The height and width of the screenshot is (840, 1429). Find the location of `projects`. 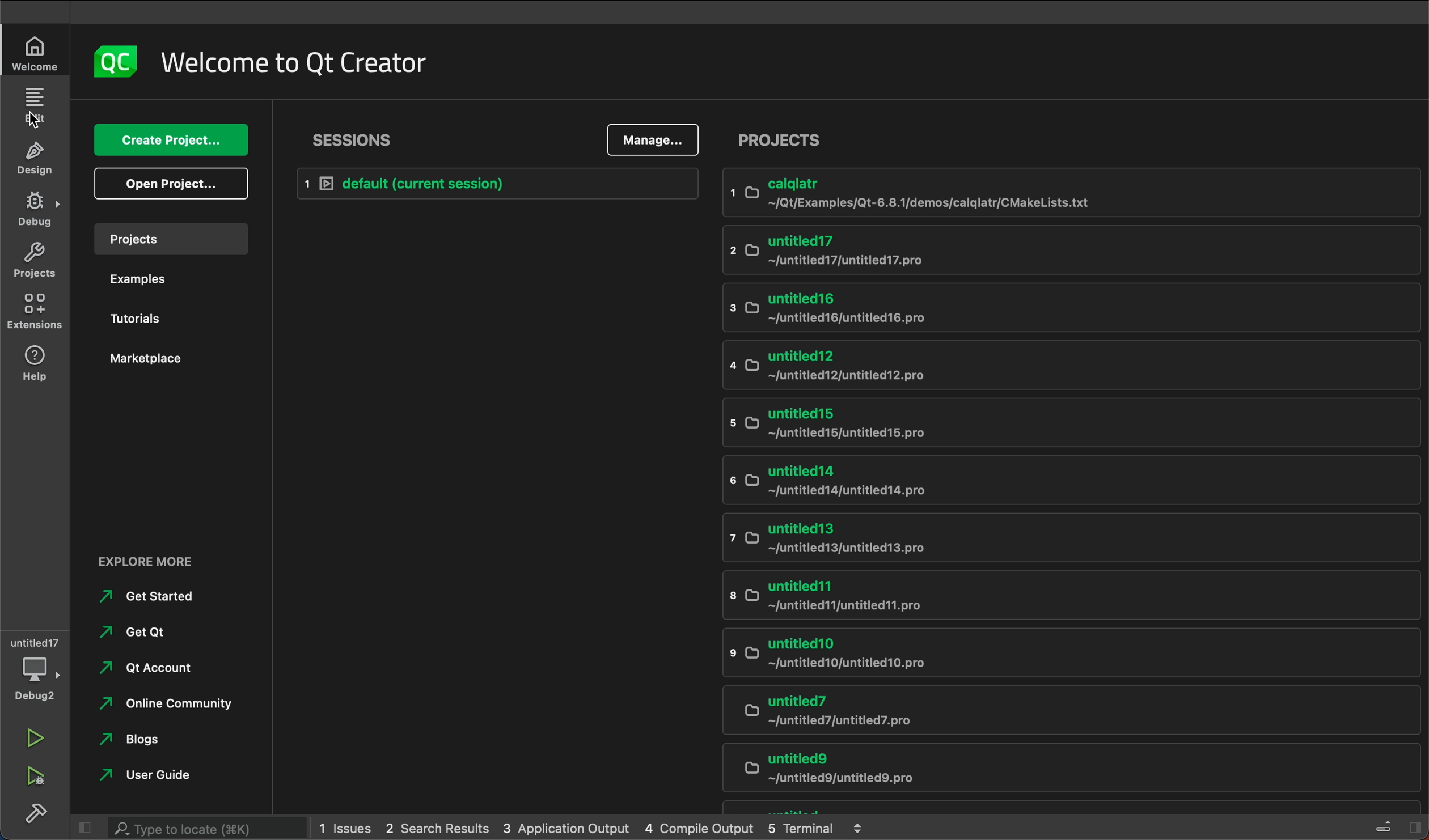

projects is located at coordinates (36, 259).